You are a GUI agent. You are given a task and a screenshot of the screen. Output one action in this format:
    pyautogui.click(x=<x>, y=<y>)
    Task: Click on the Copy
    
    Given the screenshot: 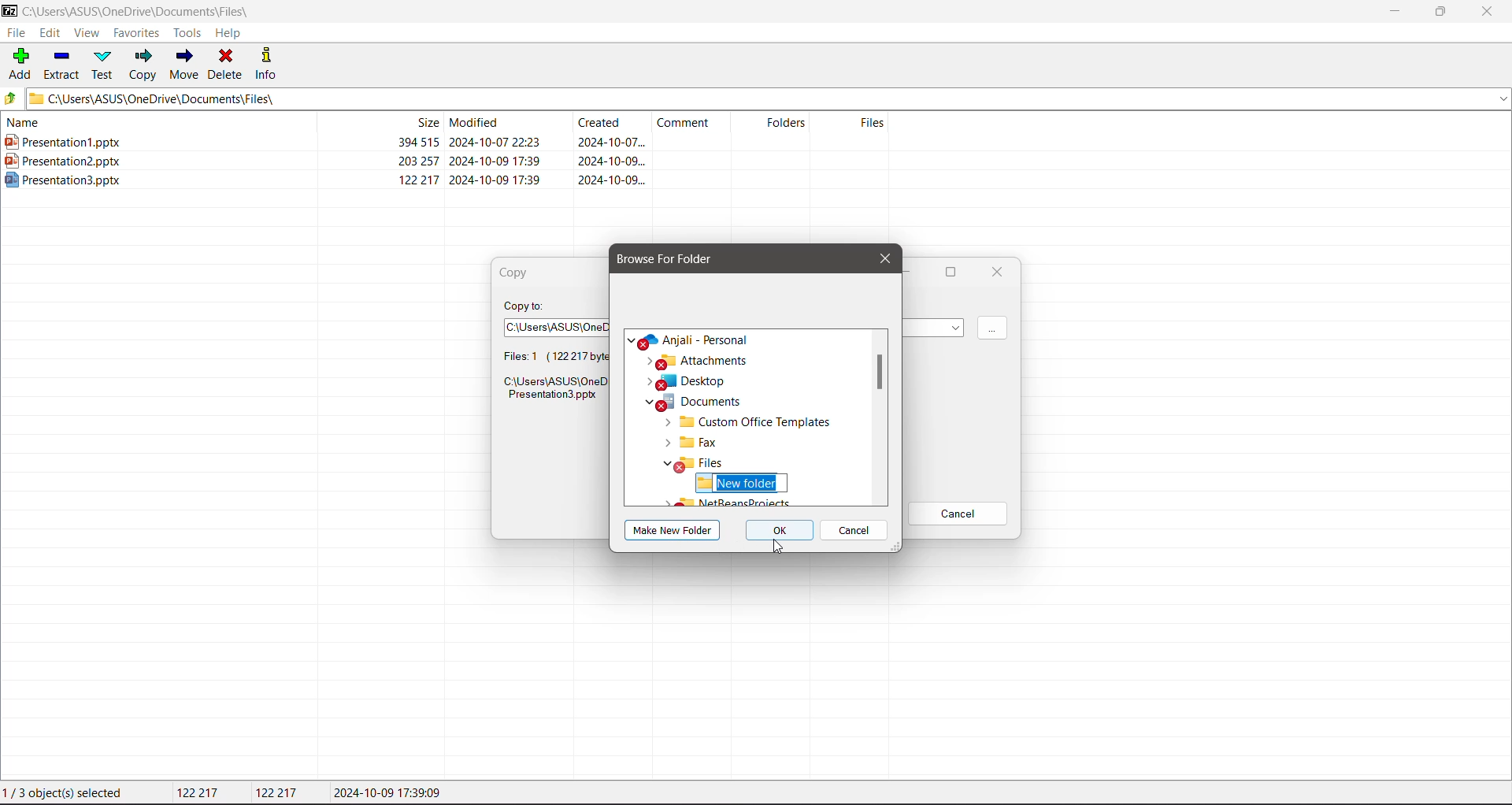 What is the action you would take?
    pyautogui.click(x=143, y=66)
    